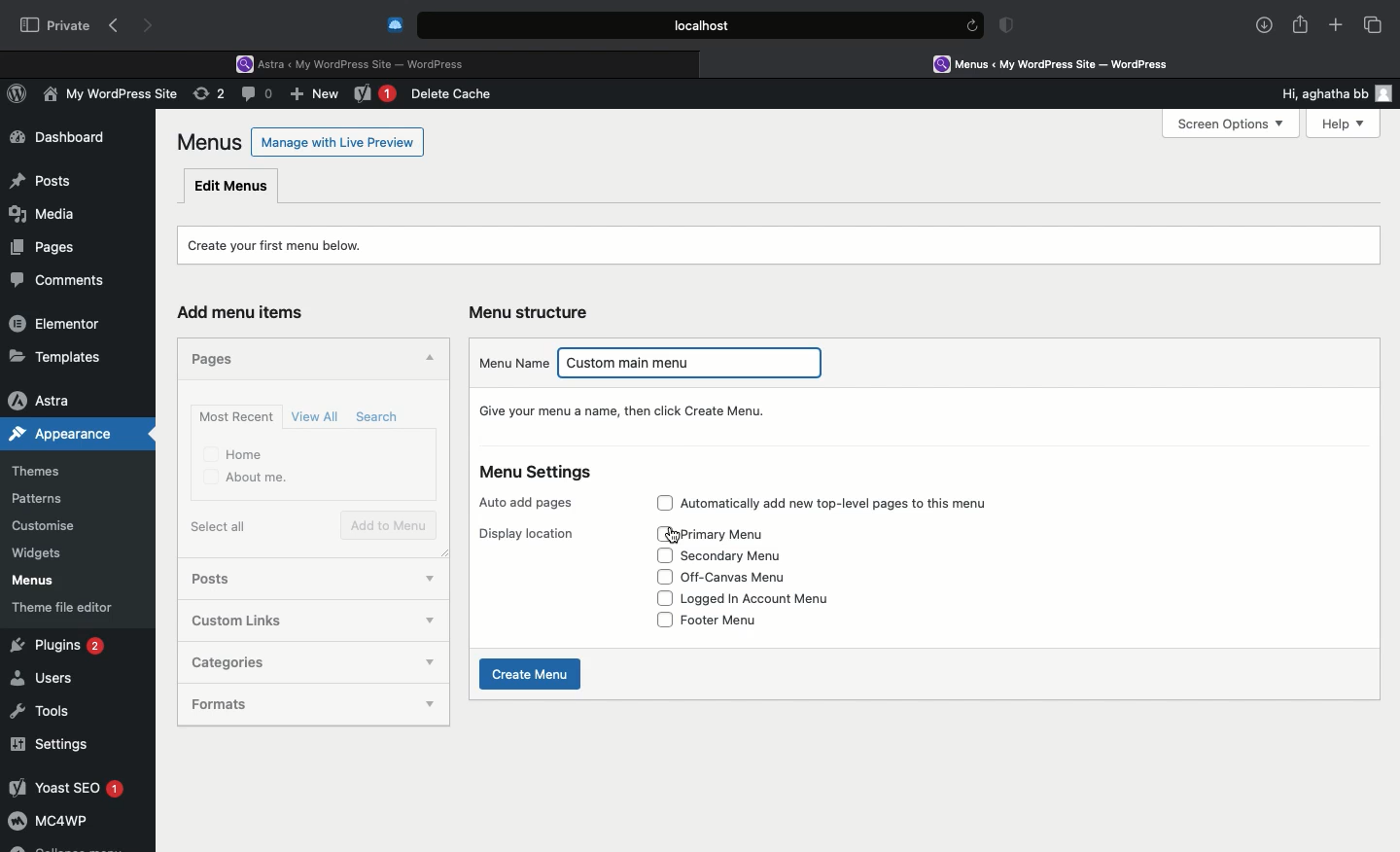  Describe the element at coordinates (1387, 93) in the screenshot. I see `user icon` at that location.